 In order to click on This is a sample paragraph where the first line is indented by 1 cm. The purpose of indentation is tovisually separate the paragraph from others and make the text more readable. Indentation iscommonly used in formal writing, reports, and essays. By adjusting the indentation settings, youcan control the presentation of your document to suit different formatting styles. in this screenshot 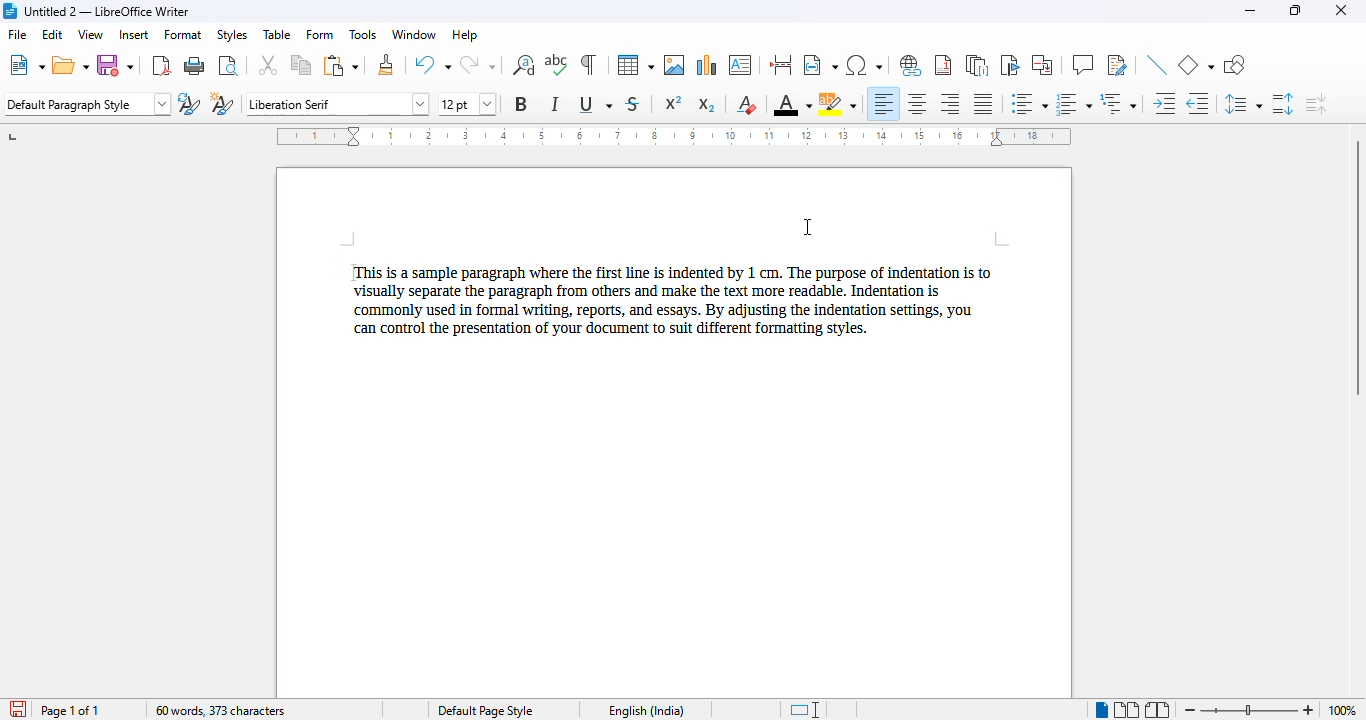, I will do `click(672, 304)`.